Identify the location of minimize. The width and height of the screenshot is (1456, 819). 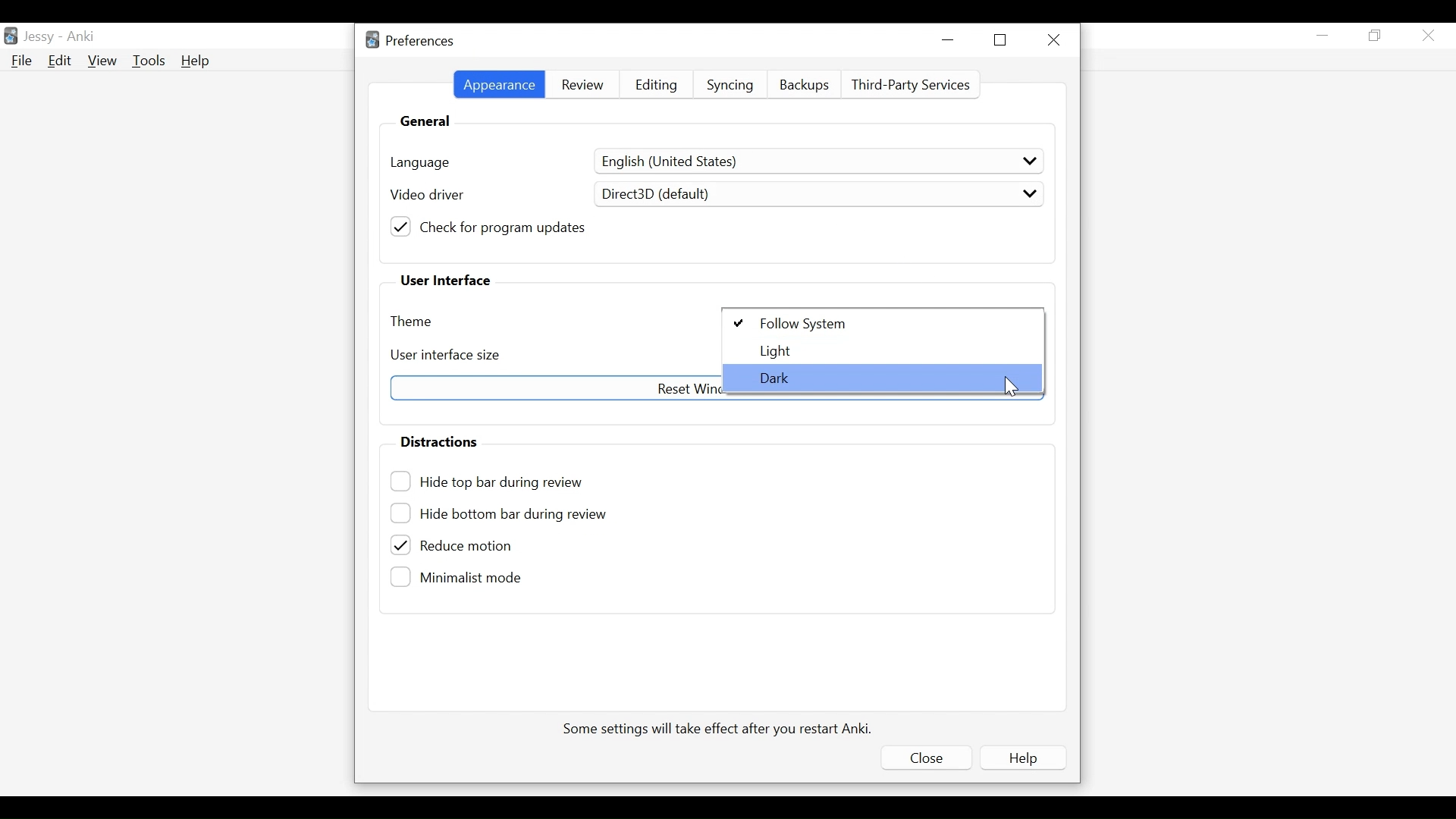
(948, 39).